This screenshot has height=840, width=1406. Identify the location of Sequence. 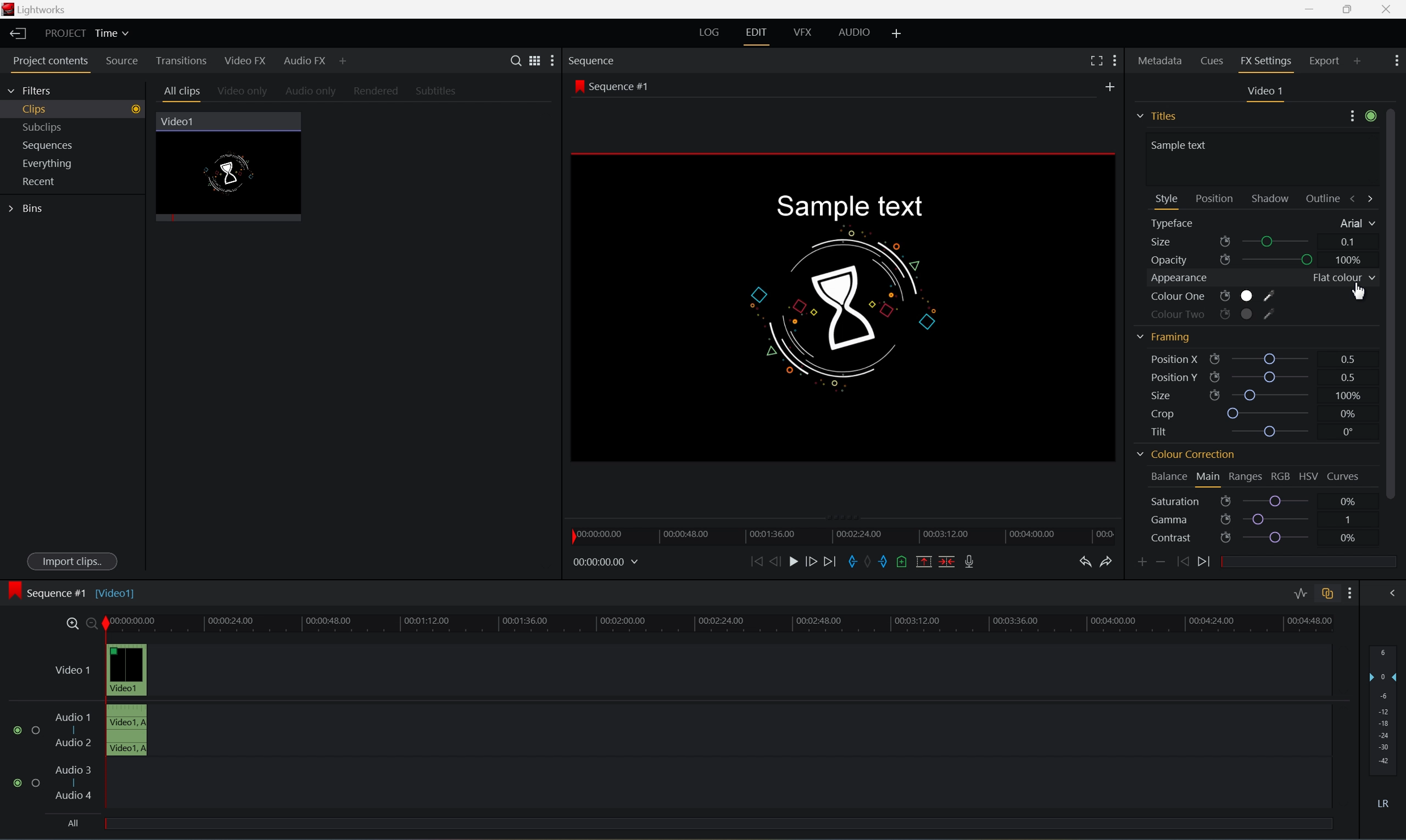
(593, 61).